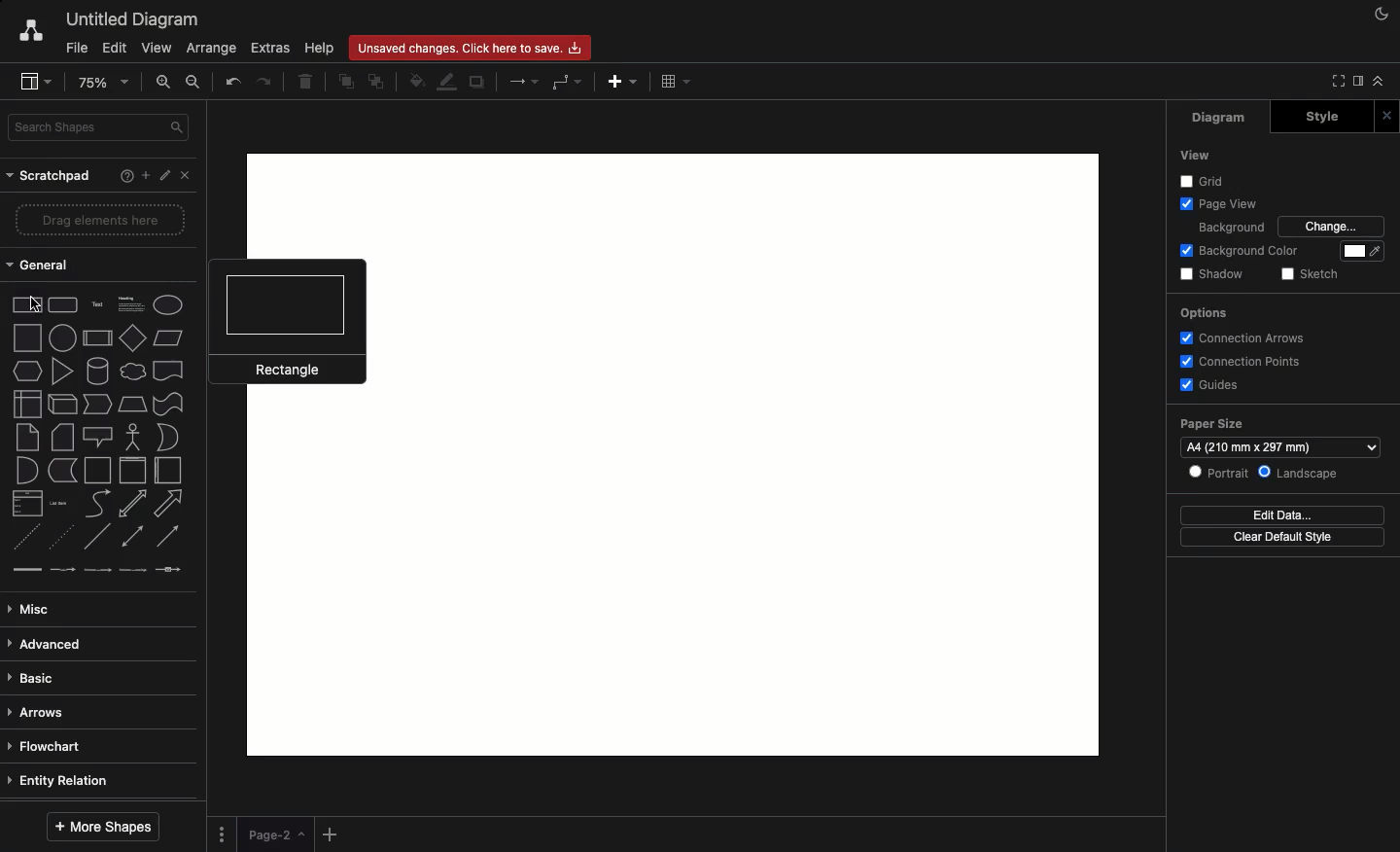 The height and width of the screenshot is (852, 1400). I want to click on To front, so click(346, 81).